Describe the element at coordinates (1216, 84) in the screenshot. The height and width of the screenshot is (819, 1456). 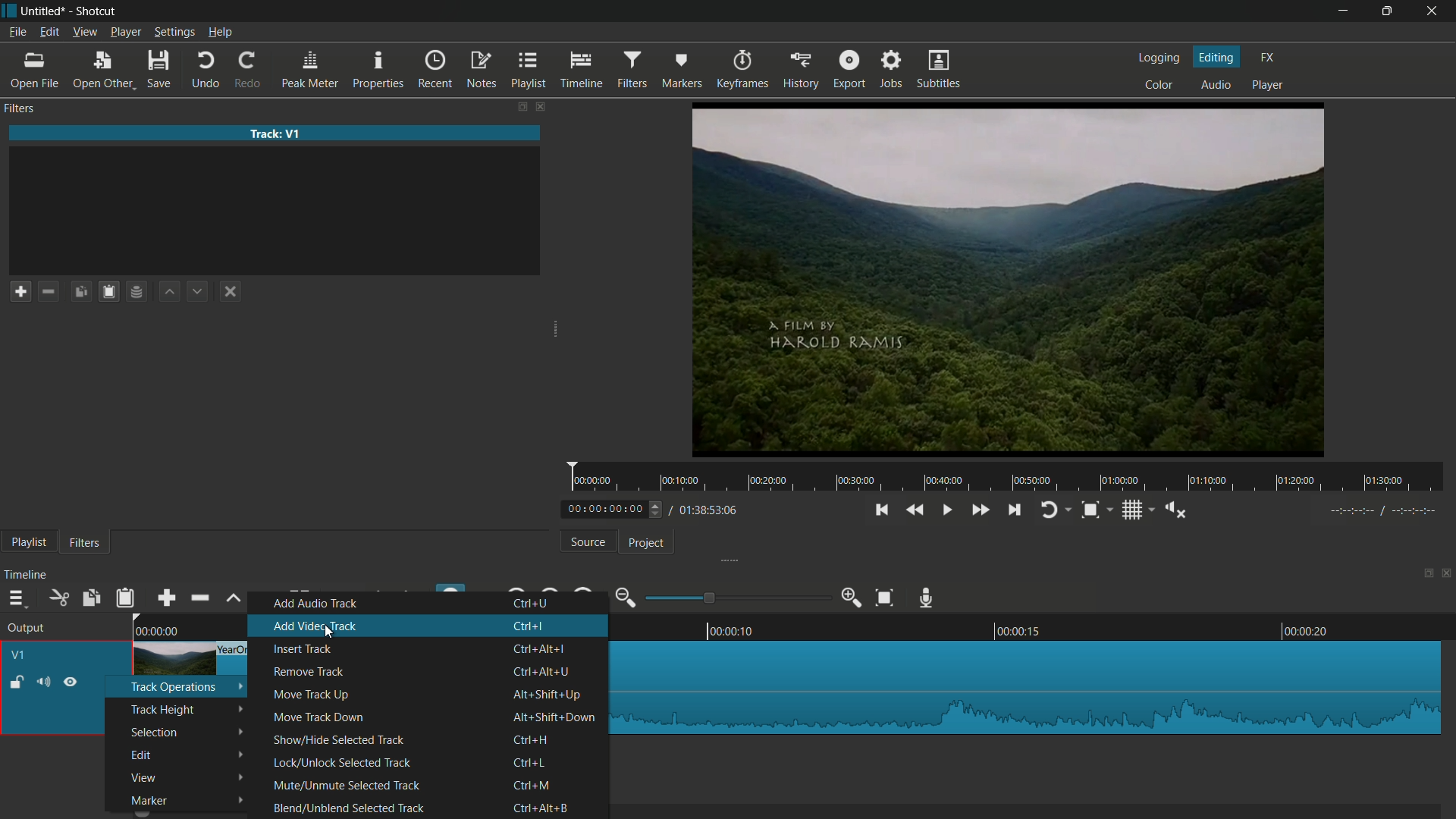
I see `audio` at that location.